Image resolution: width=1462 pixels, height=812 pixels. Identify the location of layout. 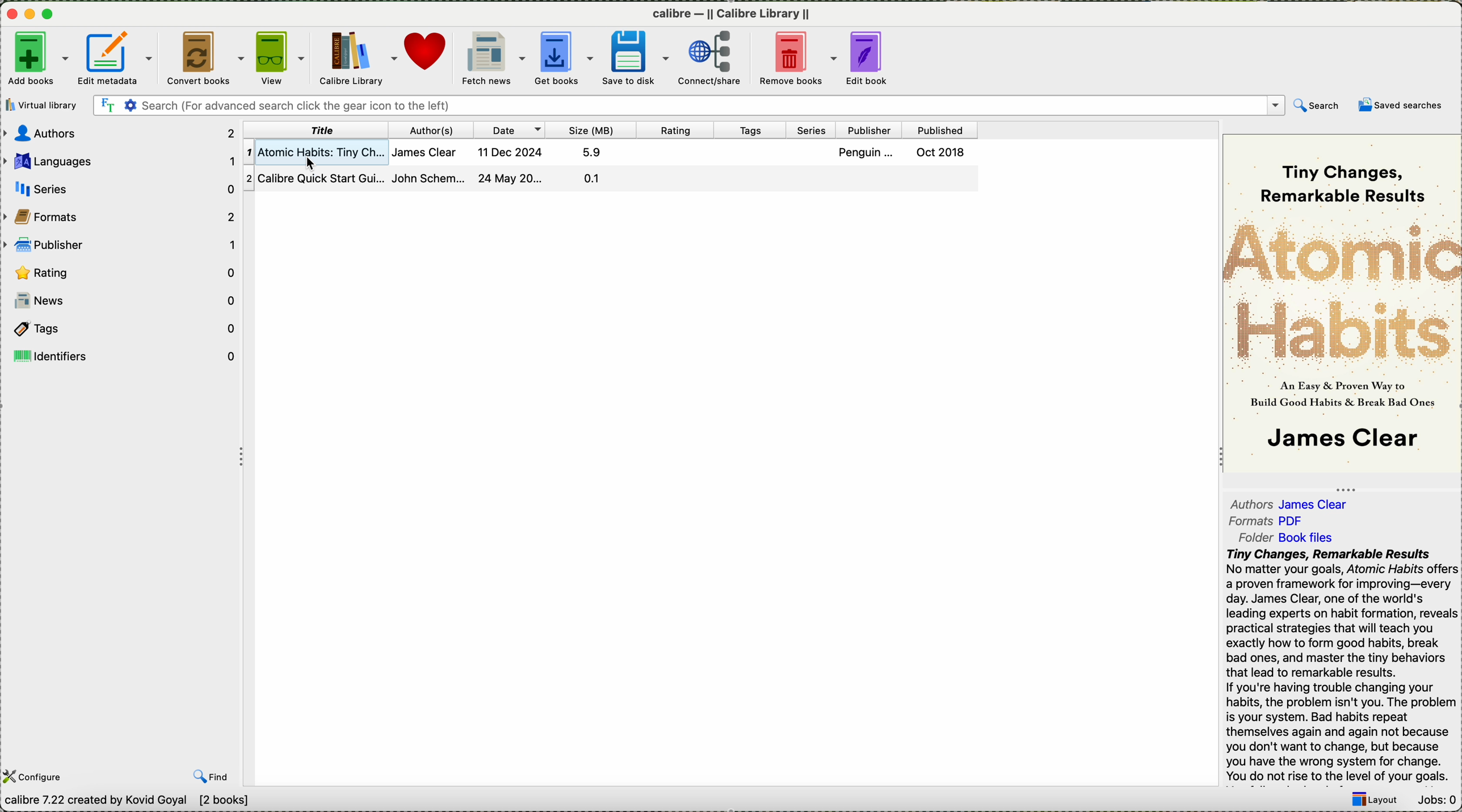
(1376, 800).